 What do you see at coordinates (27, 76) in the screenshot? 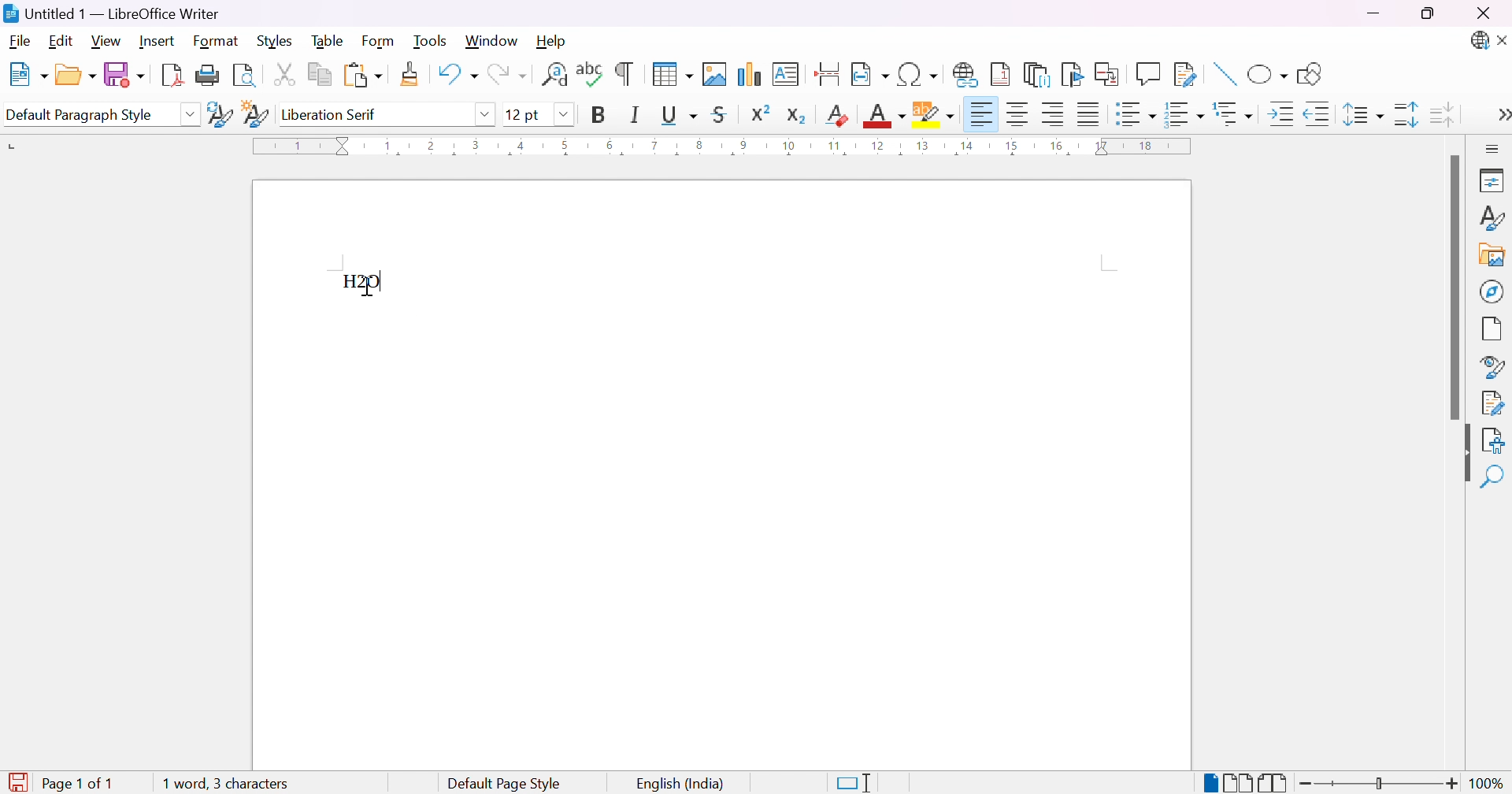
I see `New` at bounding box center [27, 76].